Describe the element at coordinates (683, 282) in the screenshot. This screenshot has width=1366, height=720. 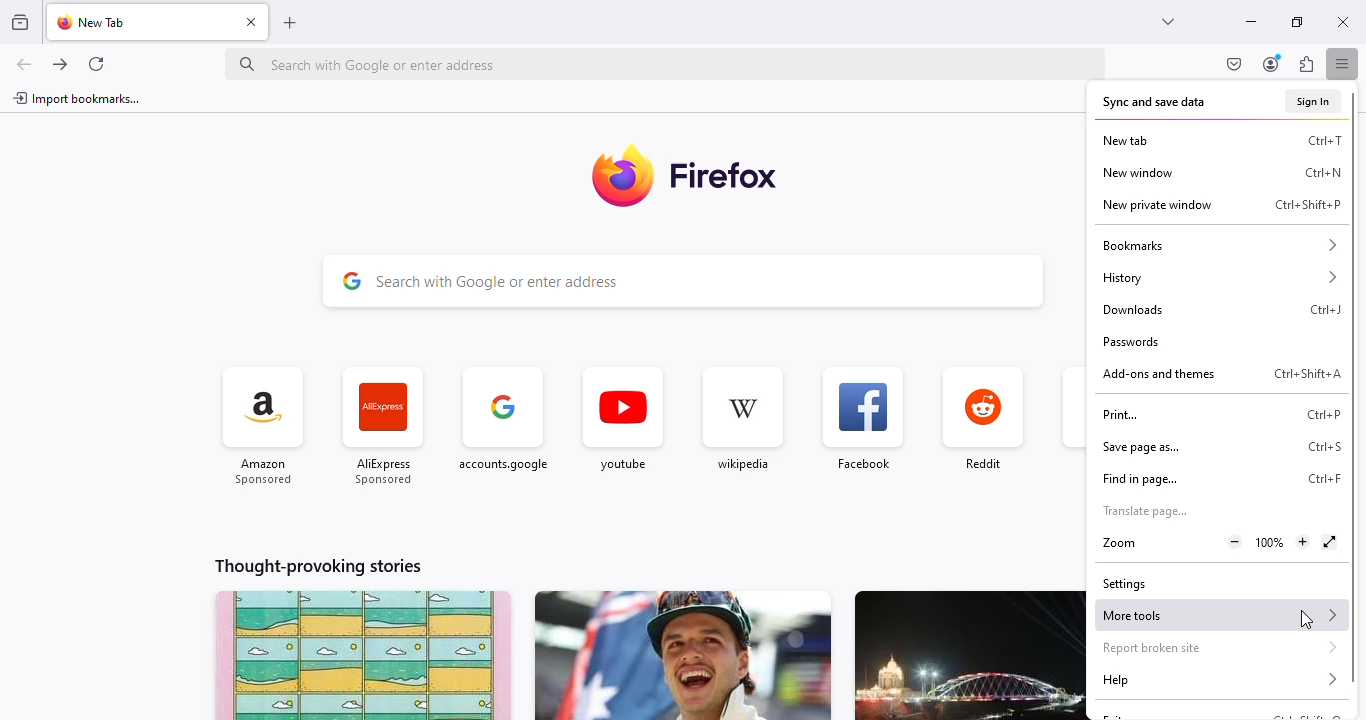
I see `search` at that location.